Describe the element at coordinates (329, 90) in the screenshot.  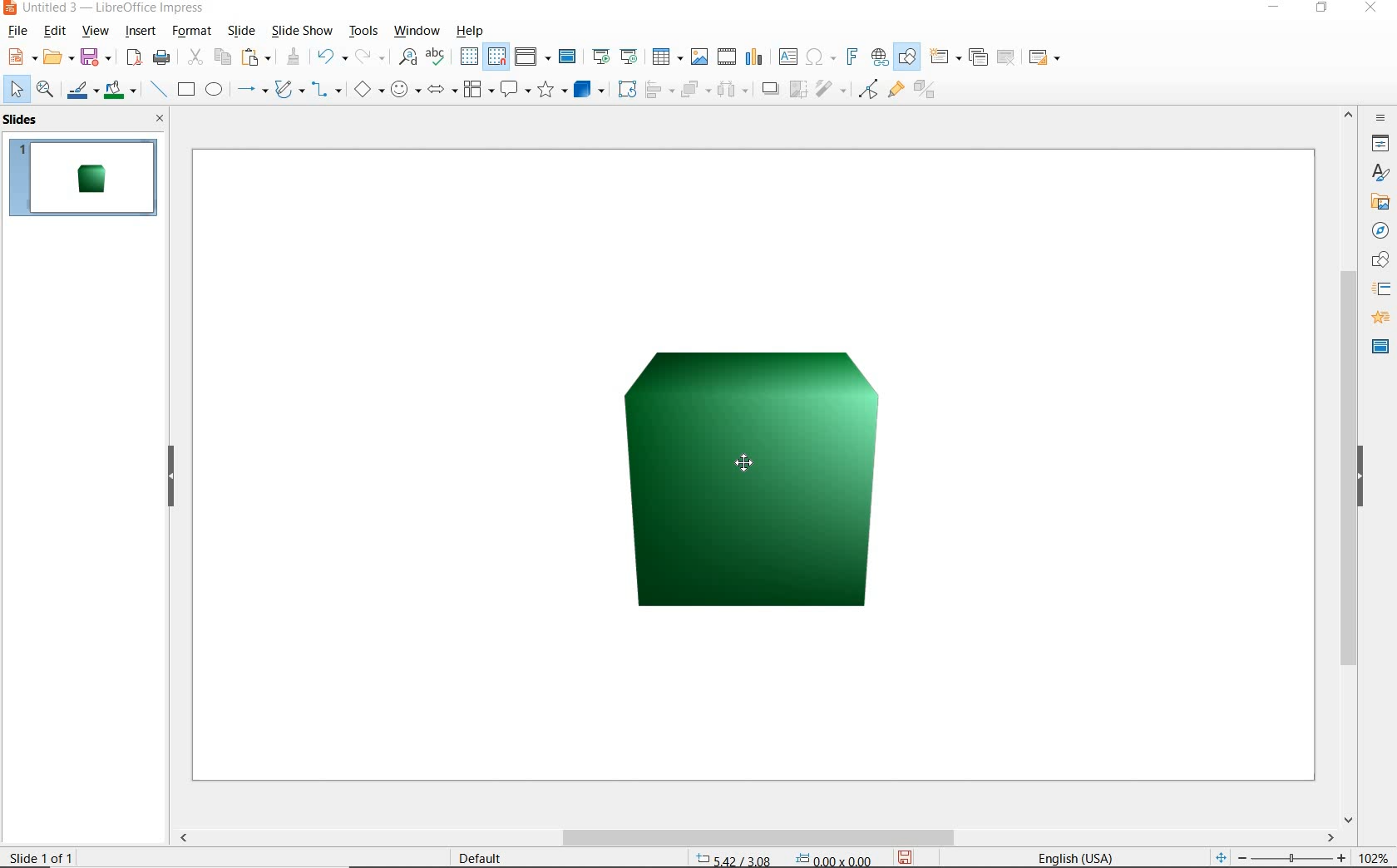
I see `connectors` at that location.